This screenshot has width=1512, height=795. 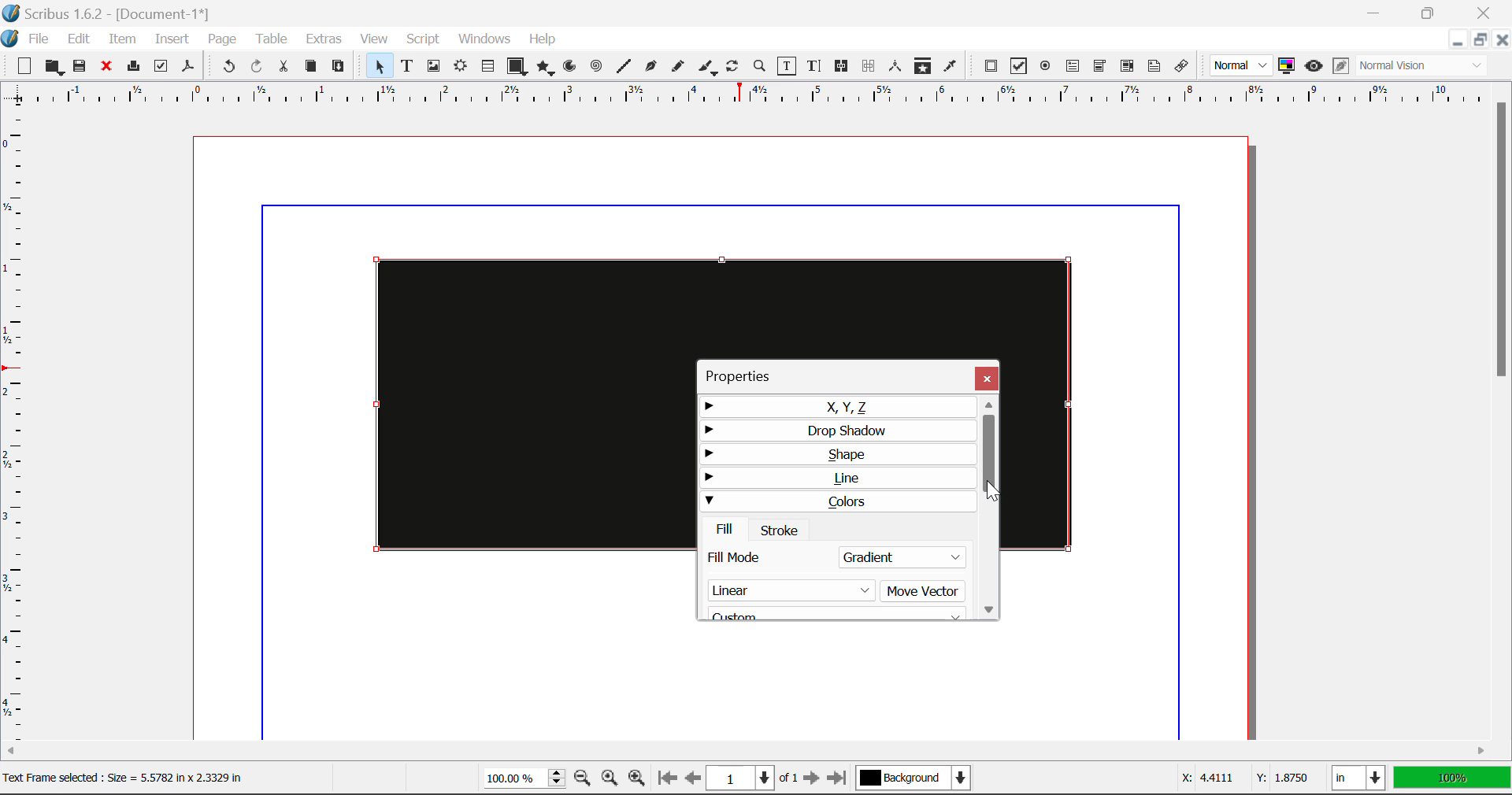 I want to click on PDF Push Button, so click(x=991, y=65).